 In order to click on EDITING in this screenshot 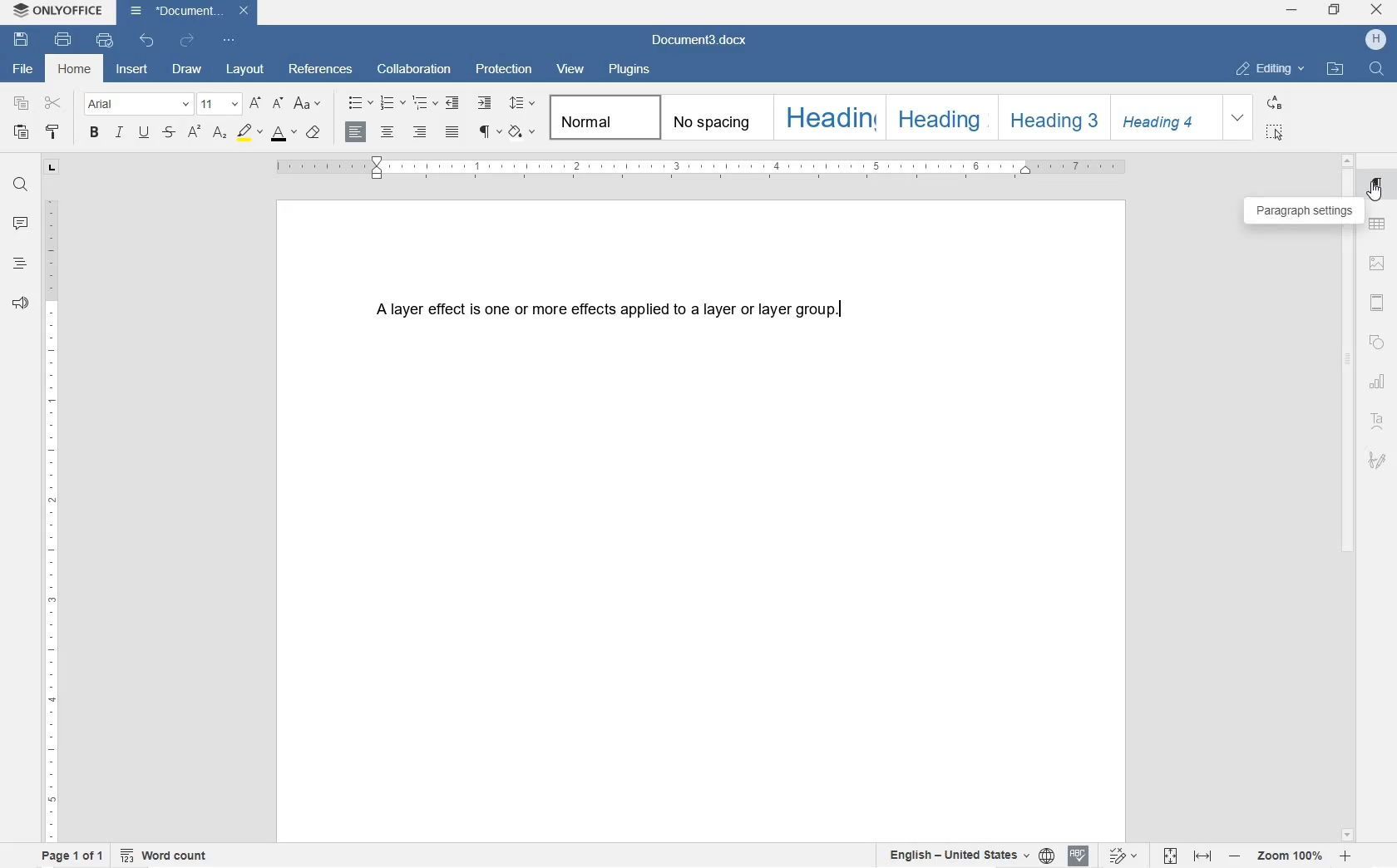, I will do `click(1271, 69)`.